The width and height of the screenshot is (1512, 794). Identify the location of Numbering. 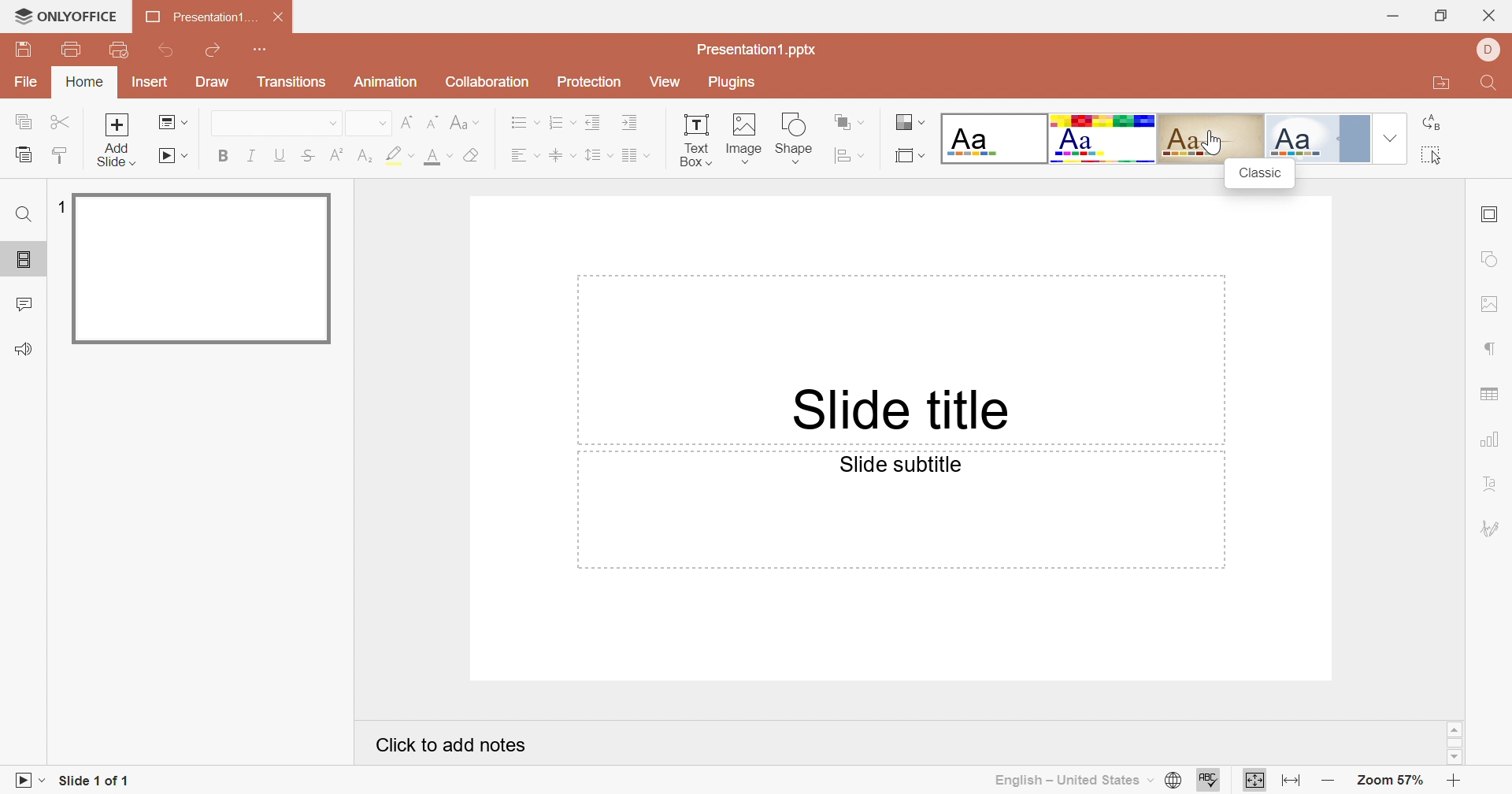
(553, 124).